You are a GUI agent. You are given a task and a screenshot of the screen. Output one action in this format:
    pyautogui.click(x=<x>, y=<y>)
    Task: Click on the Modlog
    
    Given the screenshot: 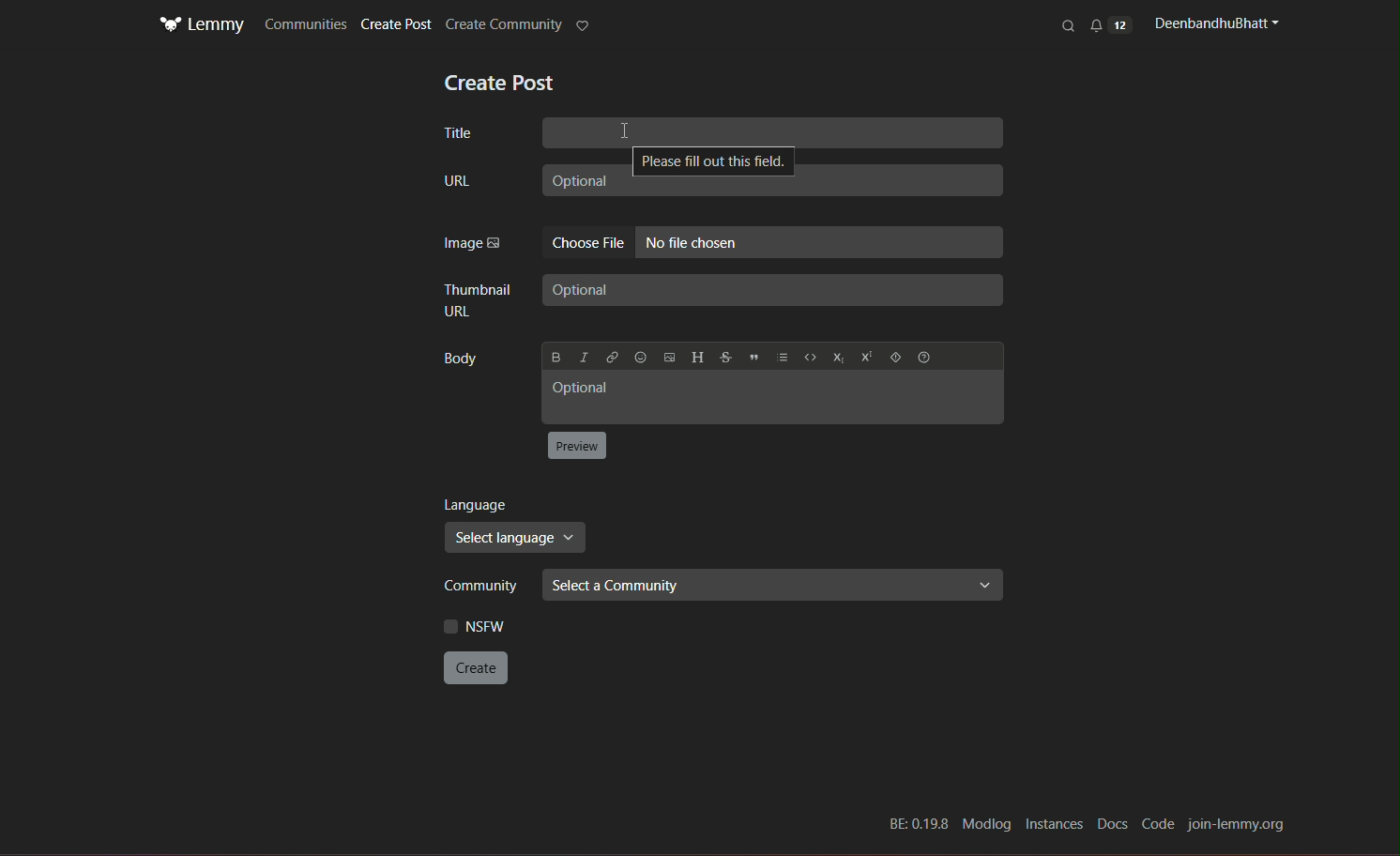 What is the action you would take?
    pyautogui.click(x=987, y=824)
    